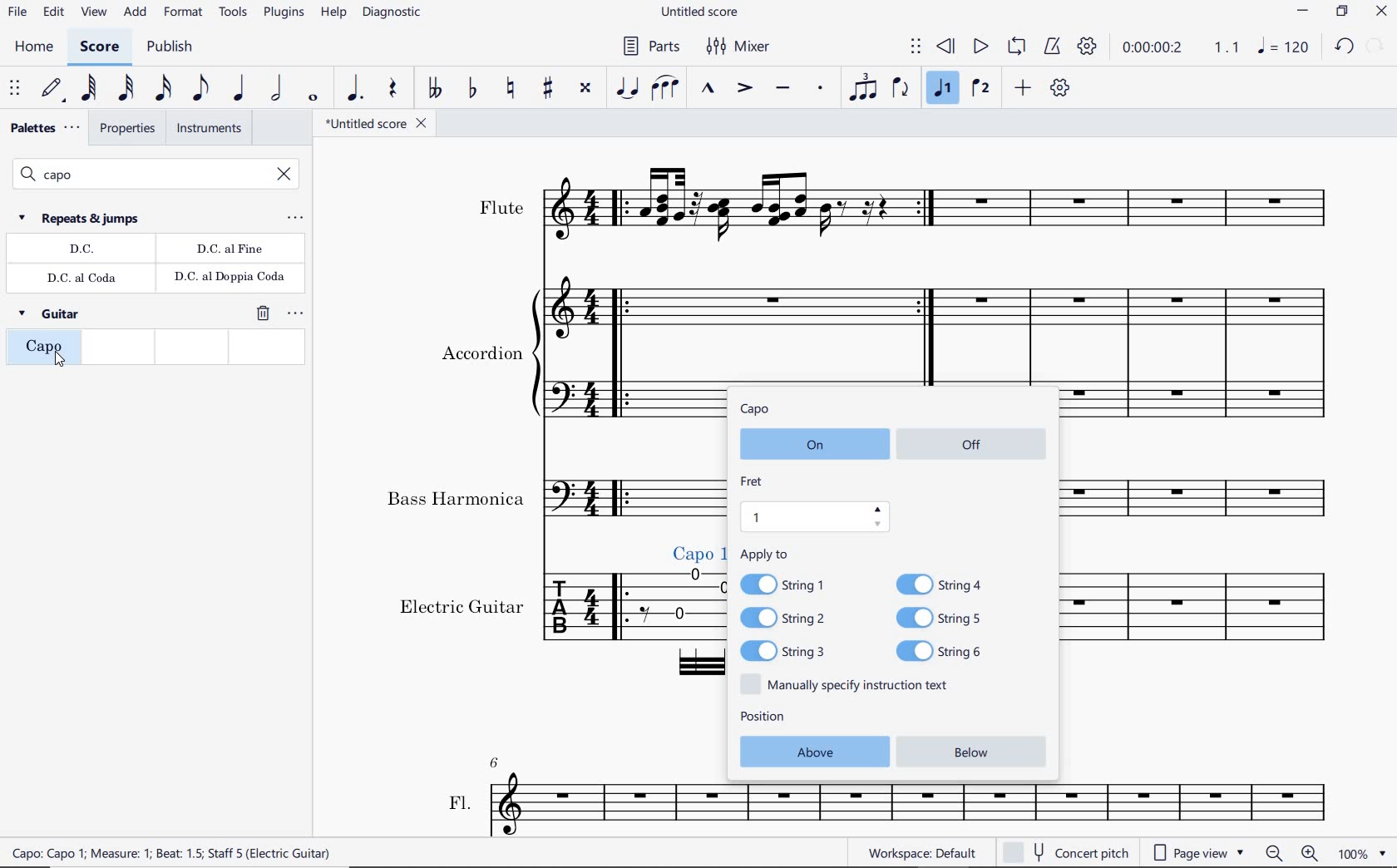  I want to click on repeats & jumps, so click(81, 218).